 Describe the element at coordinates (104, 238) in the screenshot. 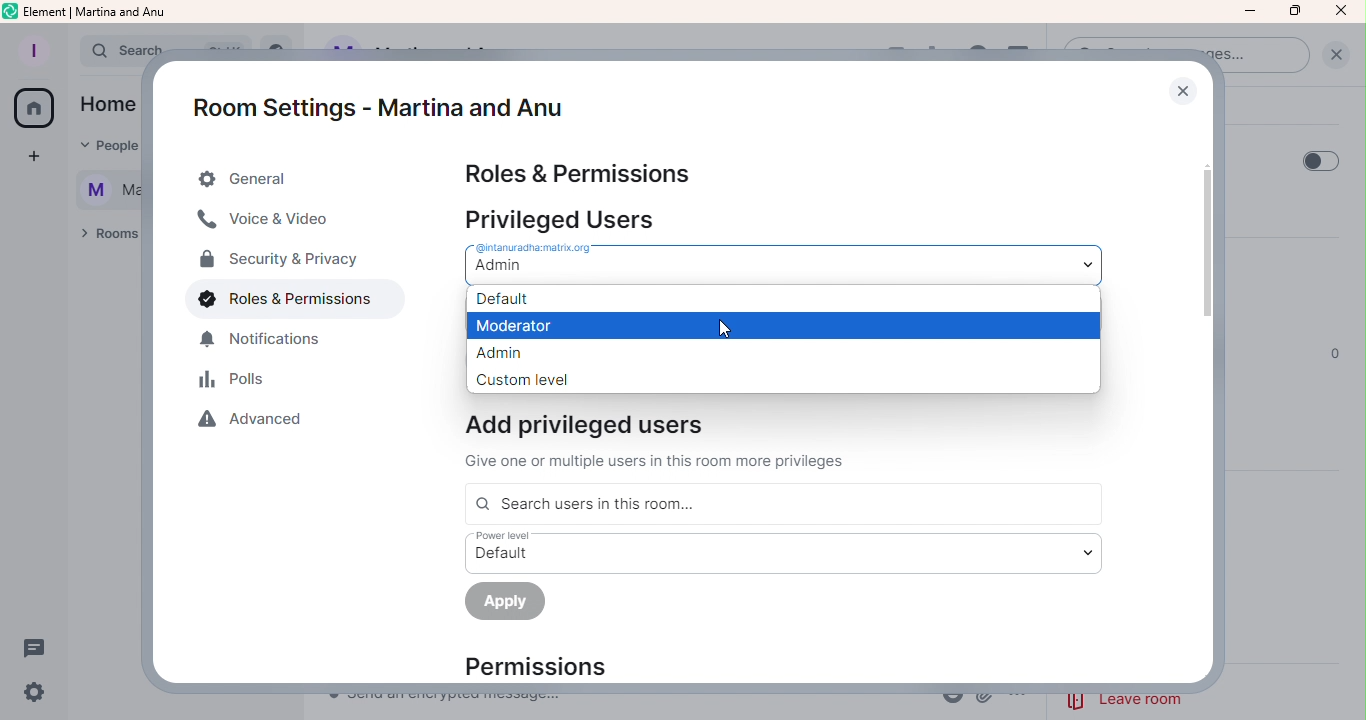

I see `Rooms` at that location.